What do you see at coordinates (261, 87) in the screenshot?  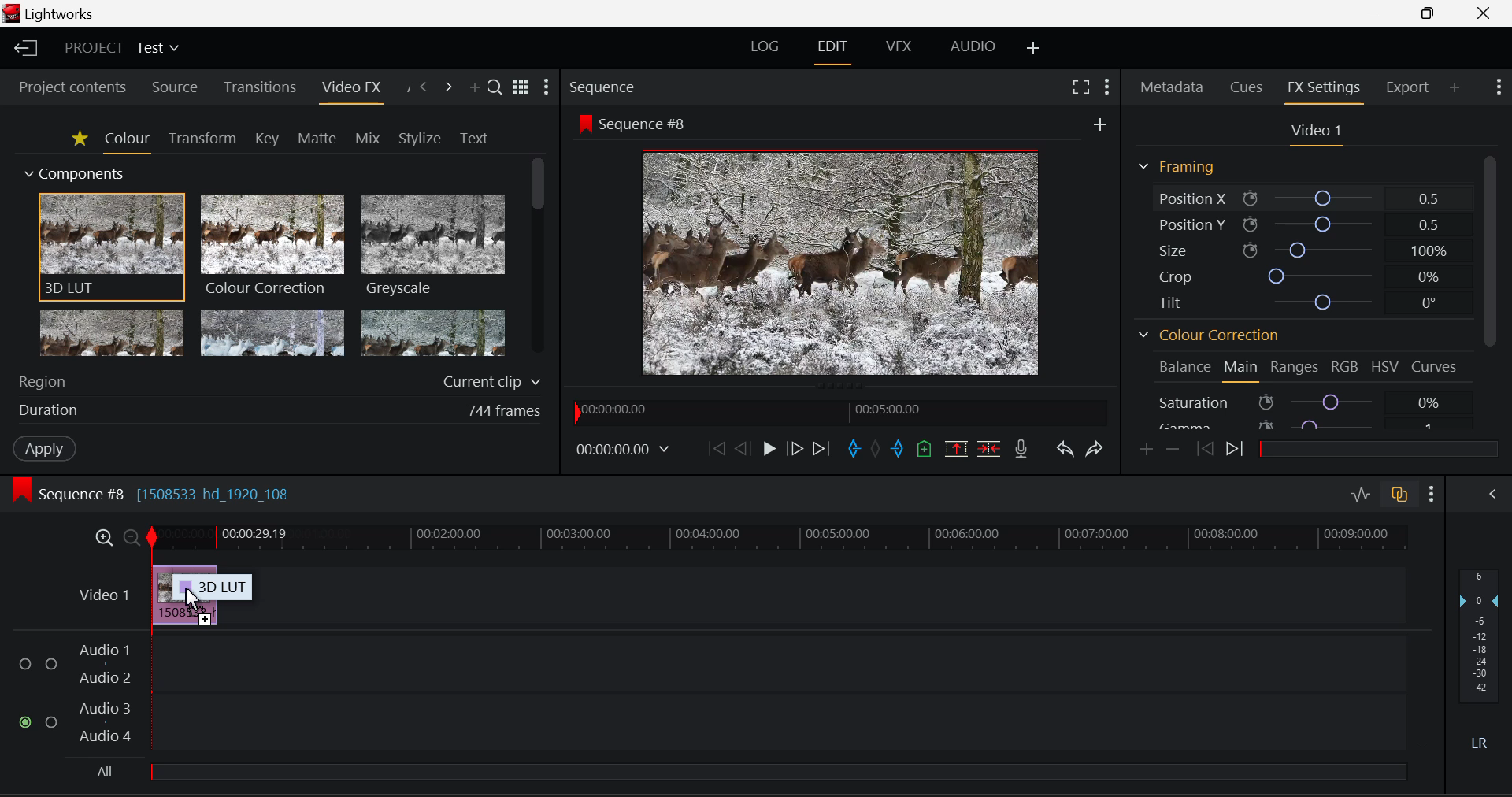 I see `Transitions` at bounding box center [261, 87].